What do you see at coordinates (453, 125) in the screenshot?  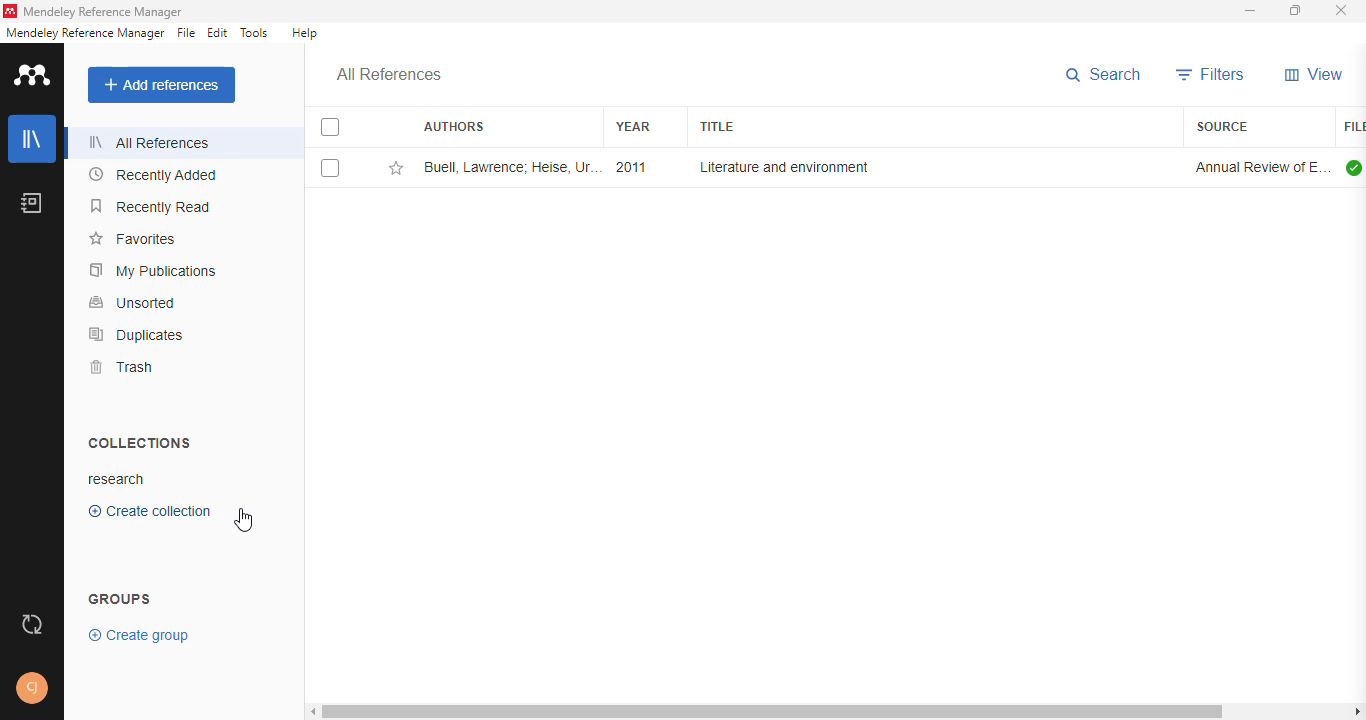 I see `authors` at bounding box center [453, 125].